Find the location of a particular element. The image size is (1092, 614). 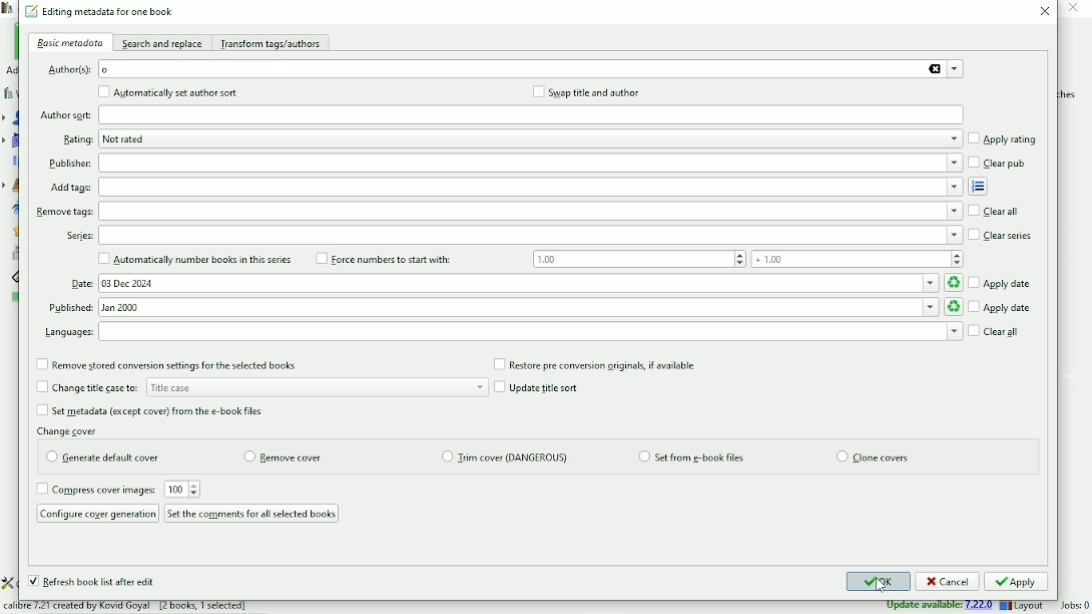

calibre 7.21 created by Kovid Goyal is located at coordinates (140, 605).